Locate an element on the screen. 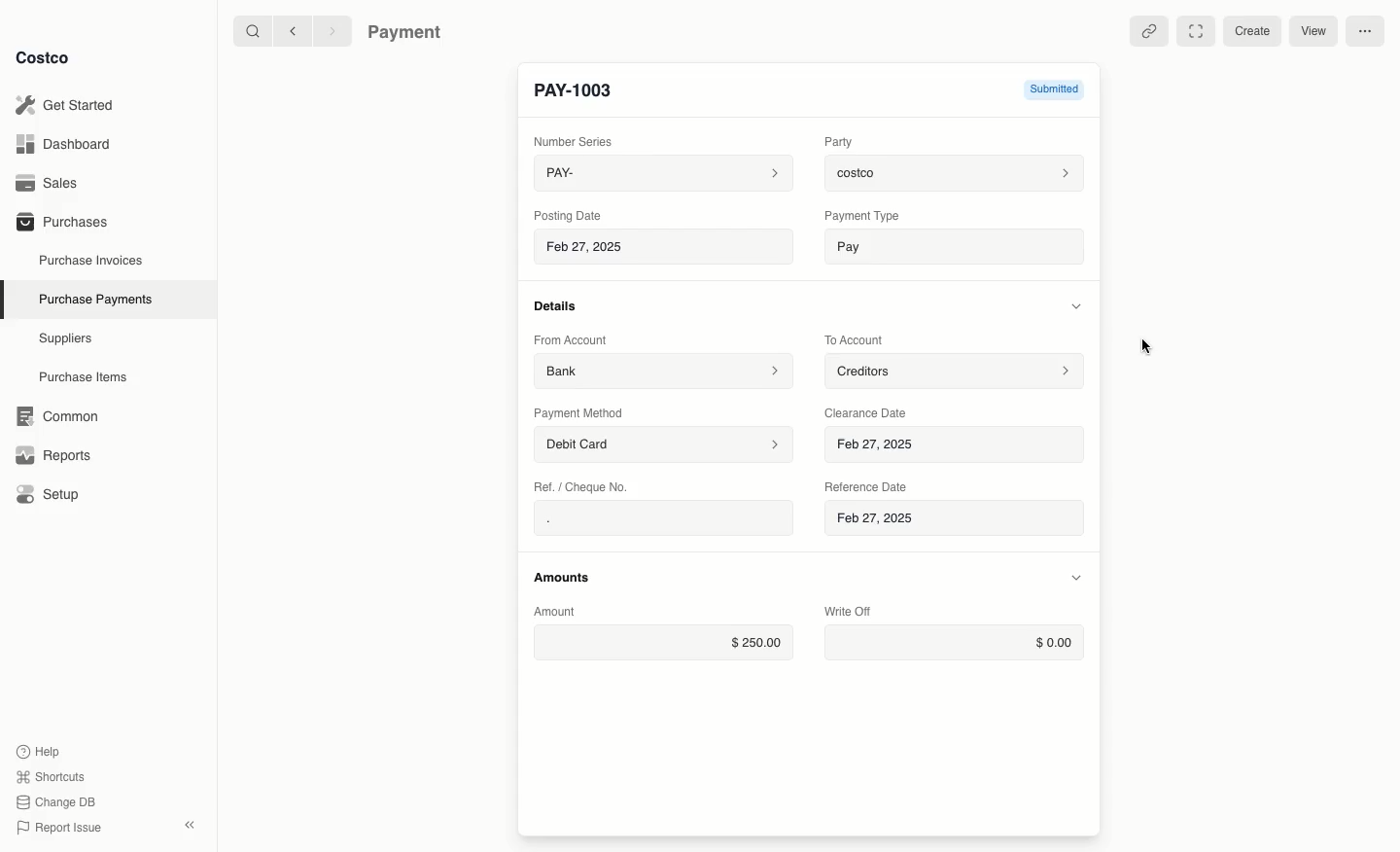  costco is located at coordinates (953, 170).